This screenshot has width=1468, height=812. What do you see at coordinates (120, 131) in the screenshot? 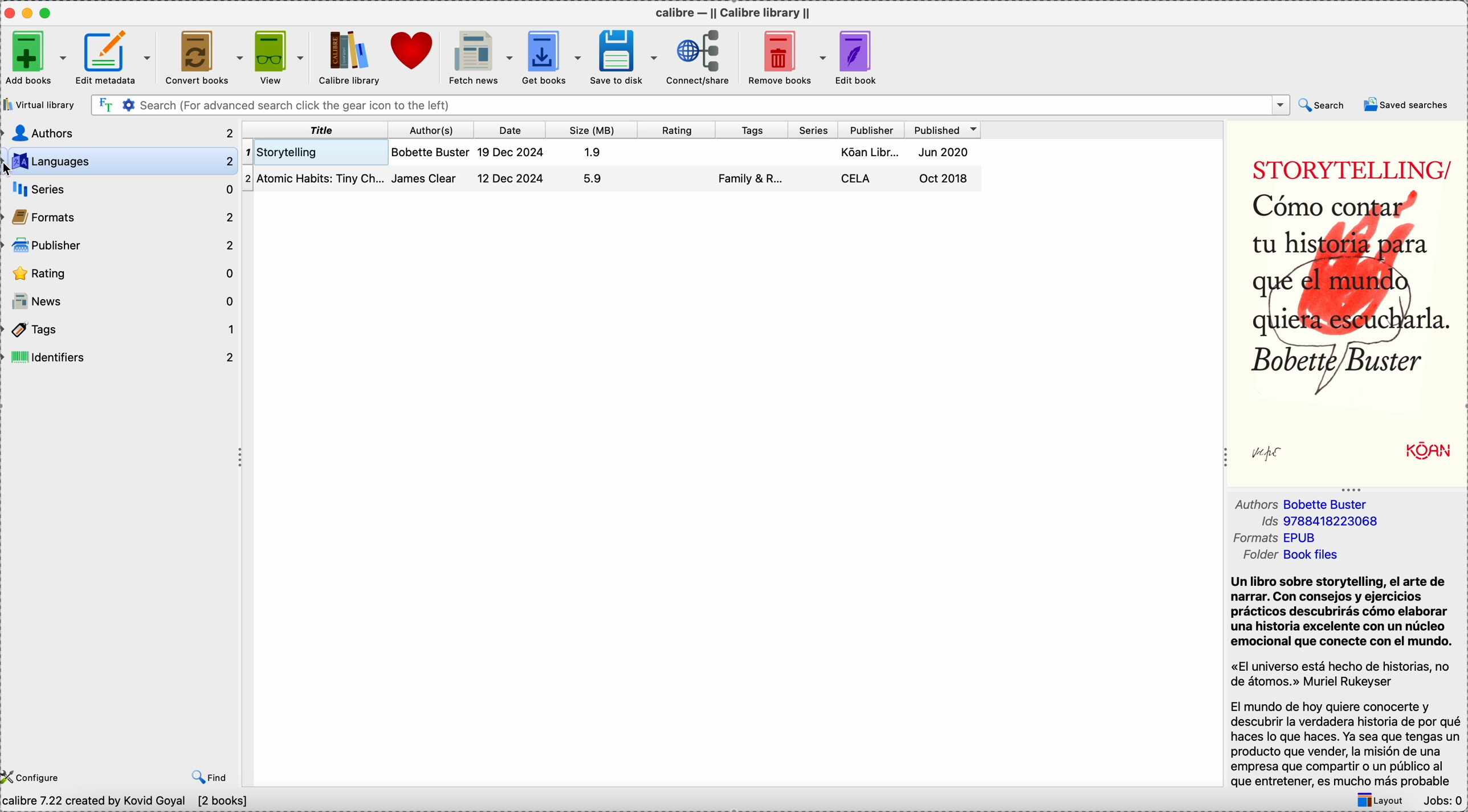
I see `authors` at bounding box center [120, 131].